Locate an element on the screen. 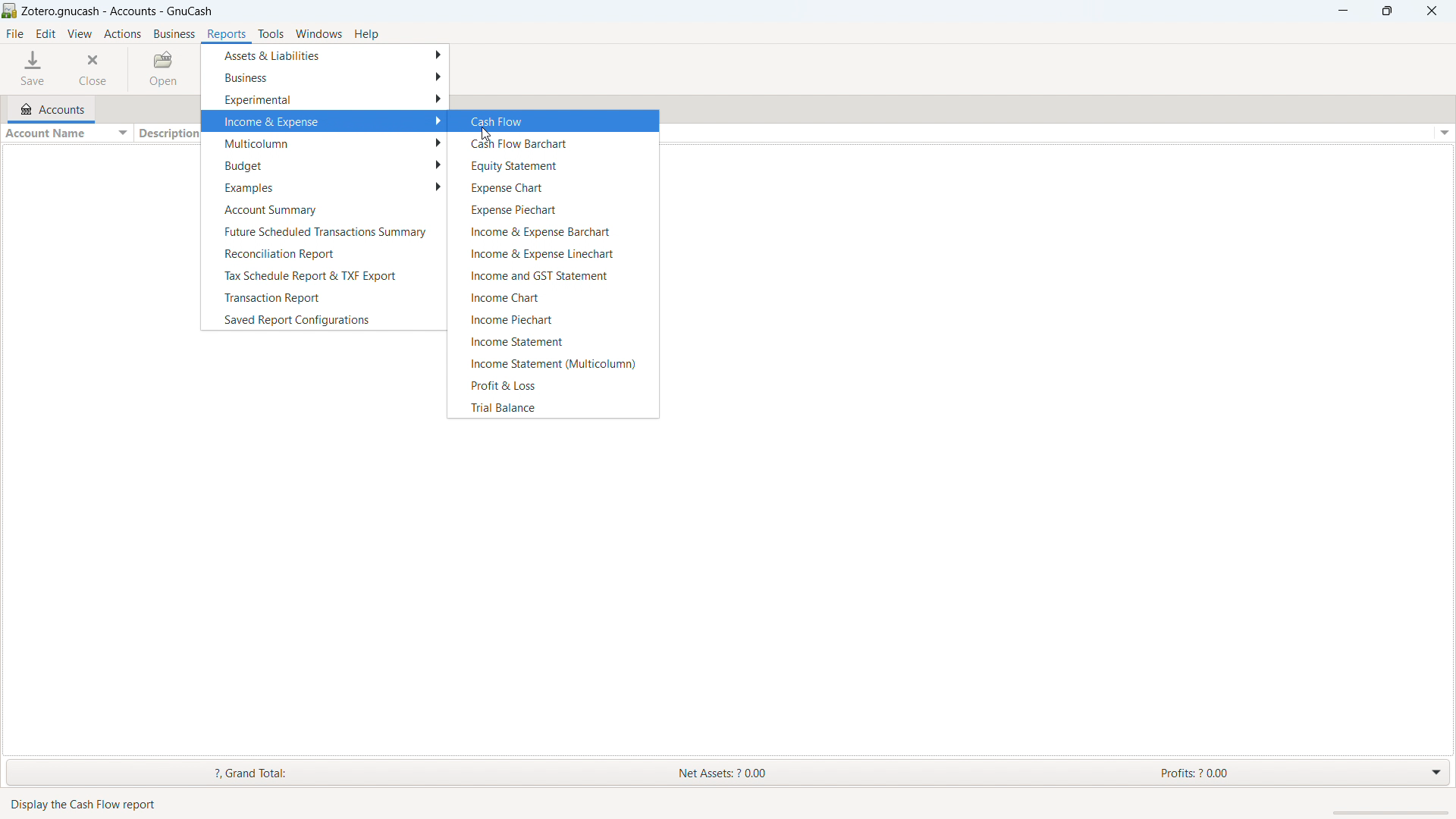 This screenshot has width=1456, height=819. income statement (multicolumn) is located at coordinates (552, 362).